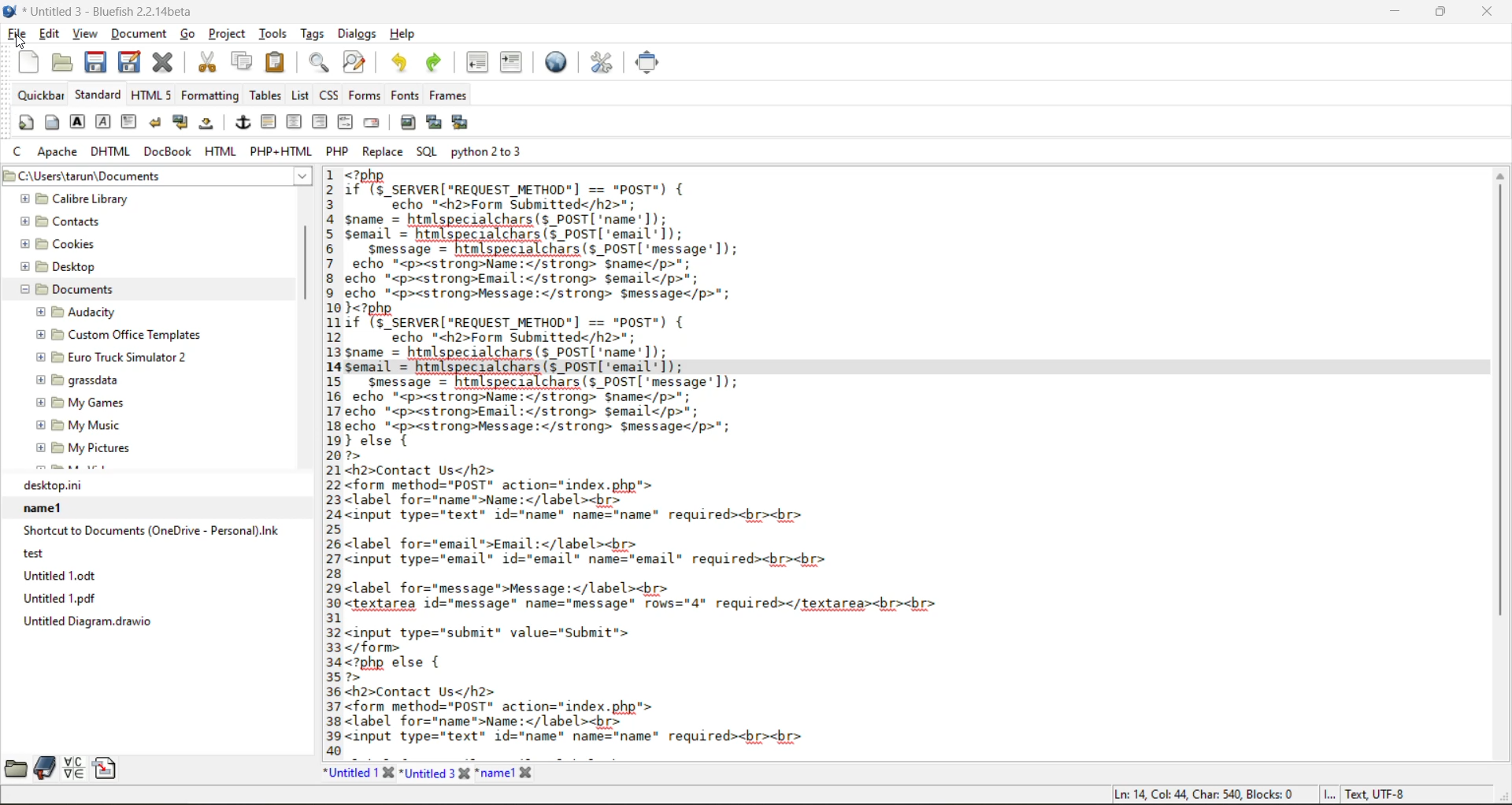 This screenshot has height=805, width=1512. I want to click on name1 tab, so click(511, 773).